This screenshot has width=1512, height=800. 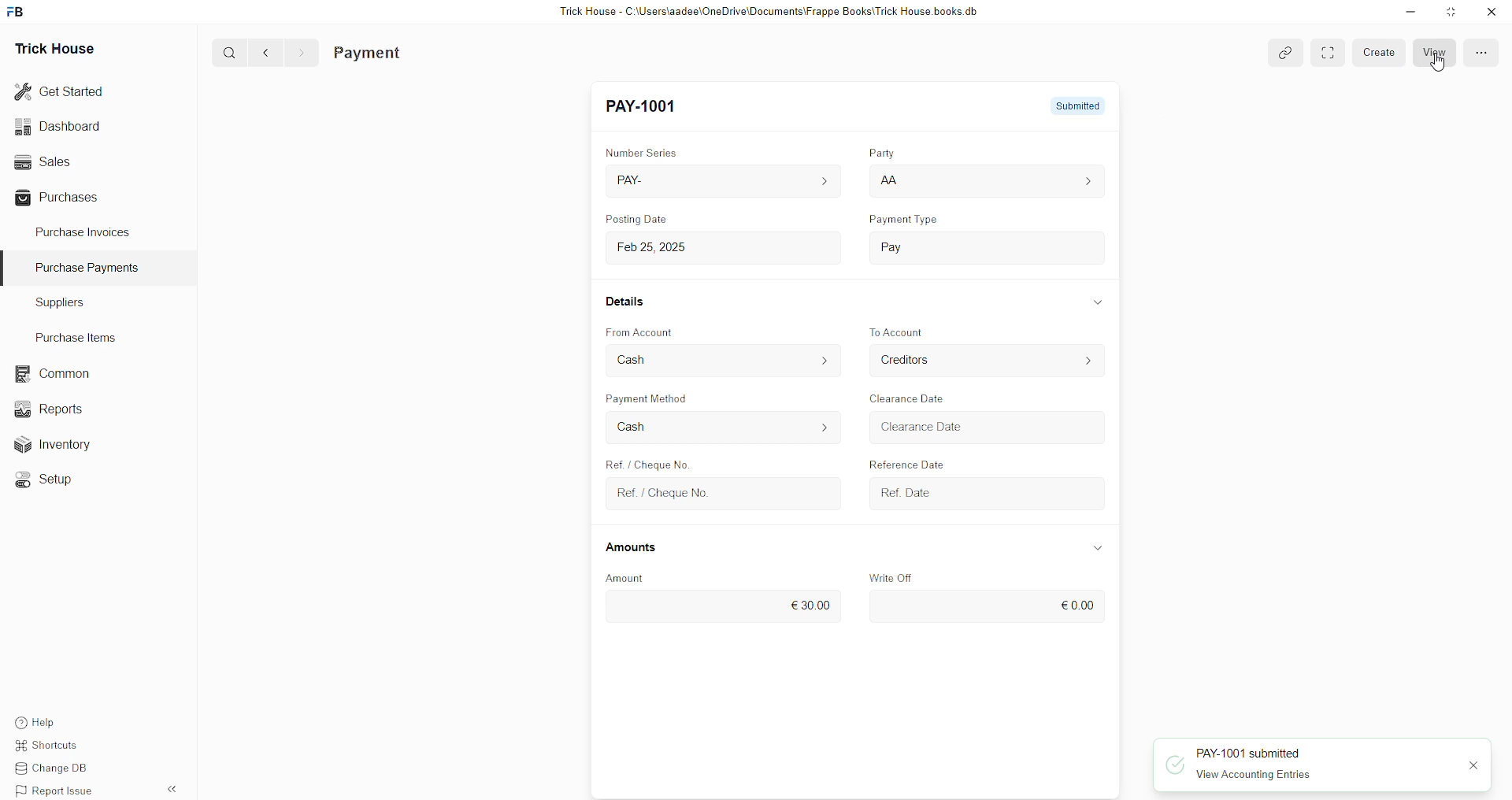 What do you see at coordinates (913, 331) in the screenshot?
I see `to account` at bounding box center [913, 331].